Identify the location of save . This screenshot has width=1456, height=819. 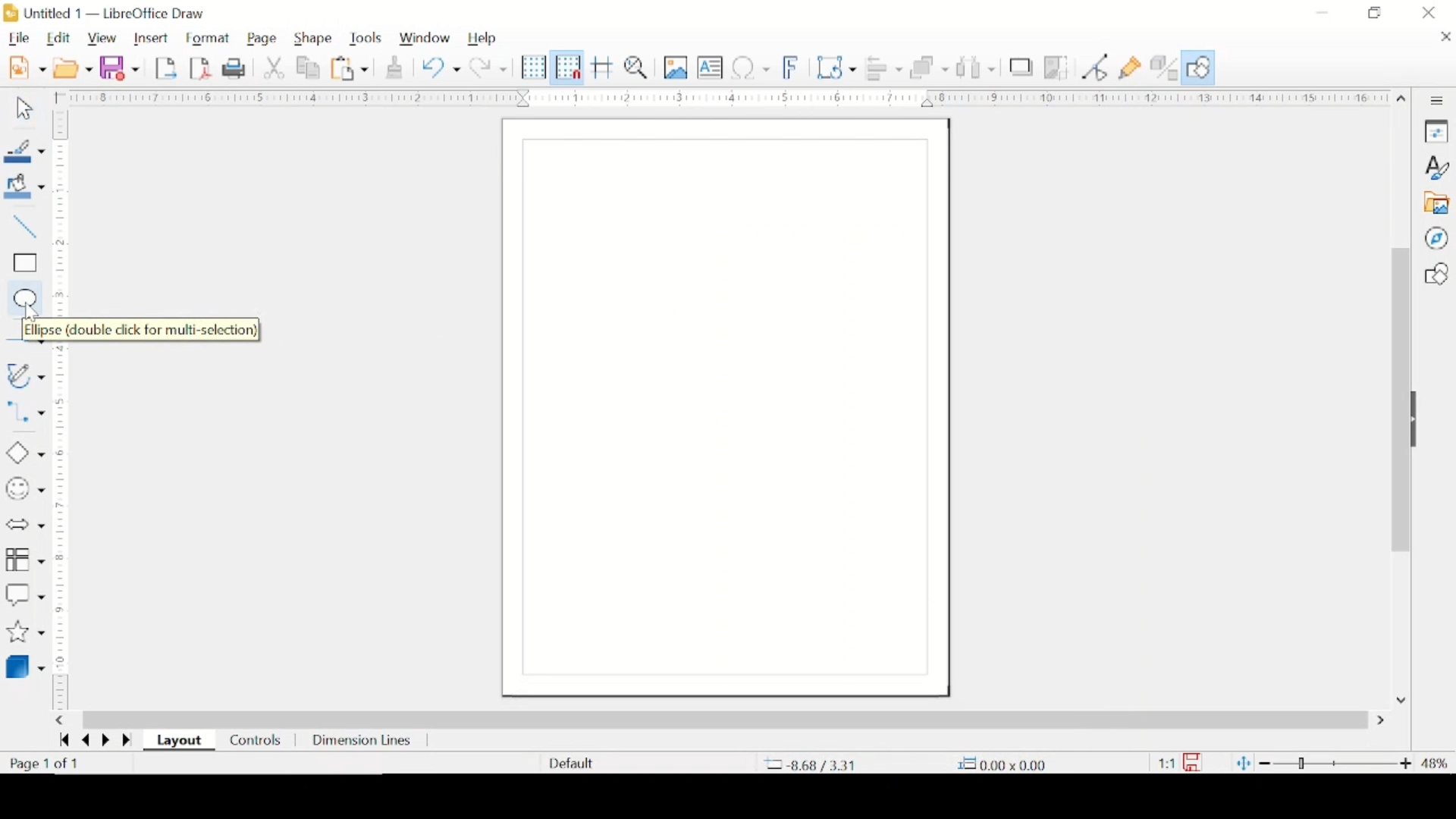
(120, 67).